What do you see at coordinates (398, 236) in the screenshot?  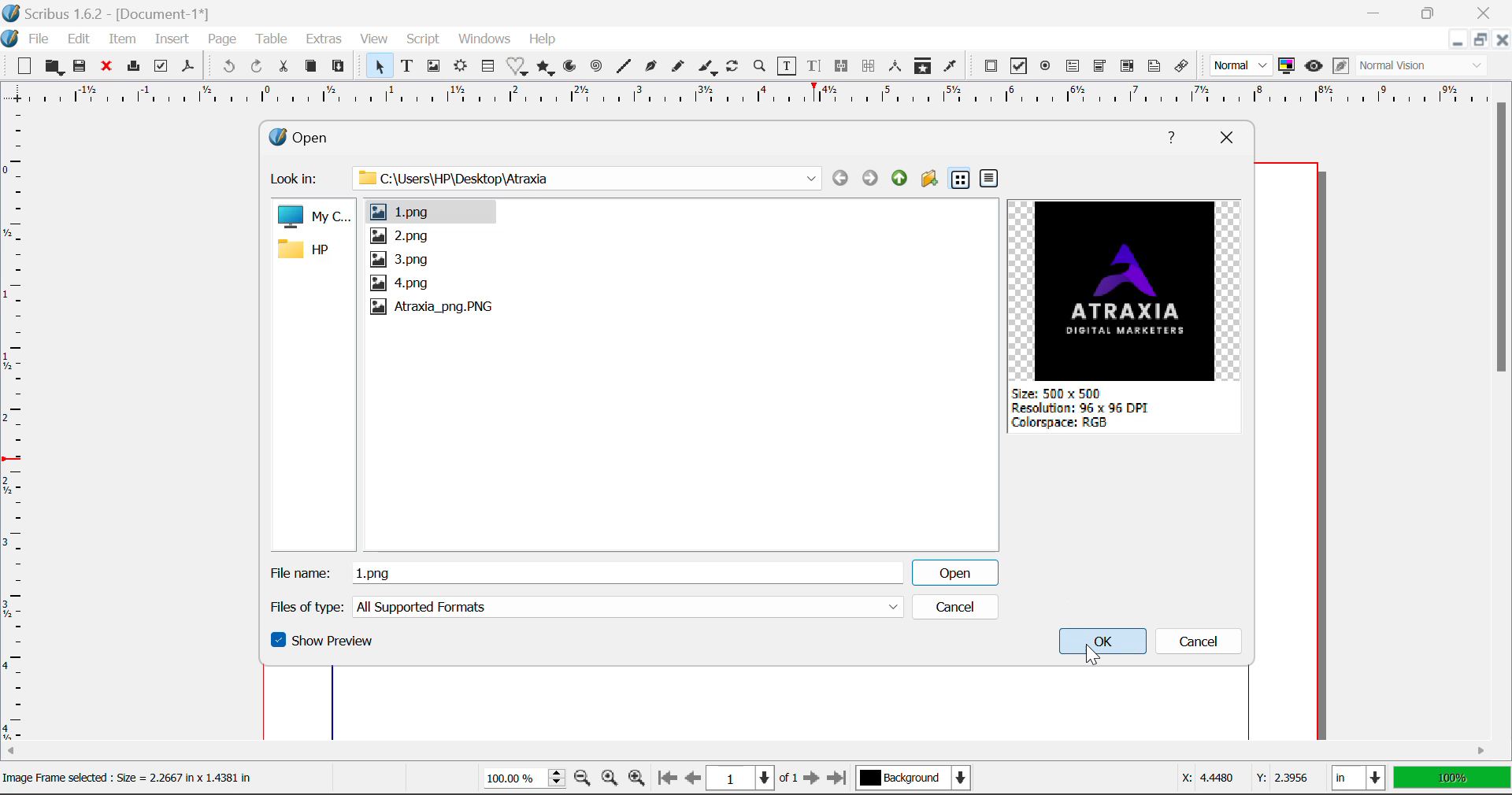 I see `2.png` at bounding box center [398, 236].